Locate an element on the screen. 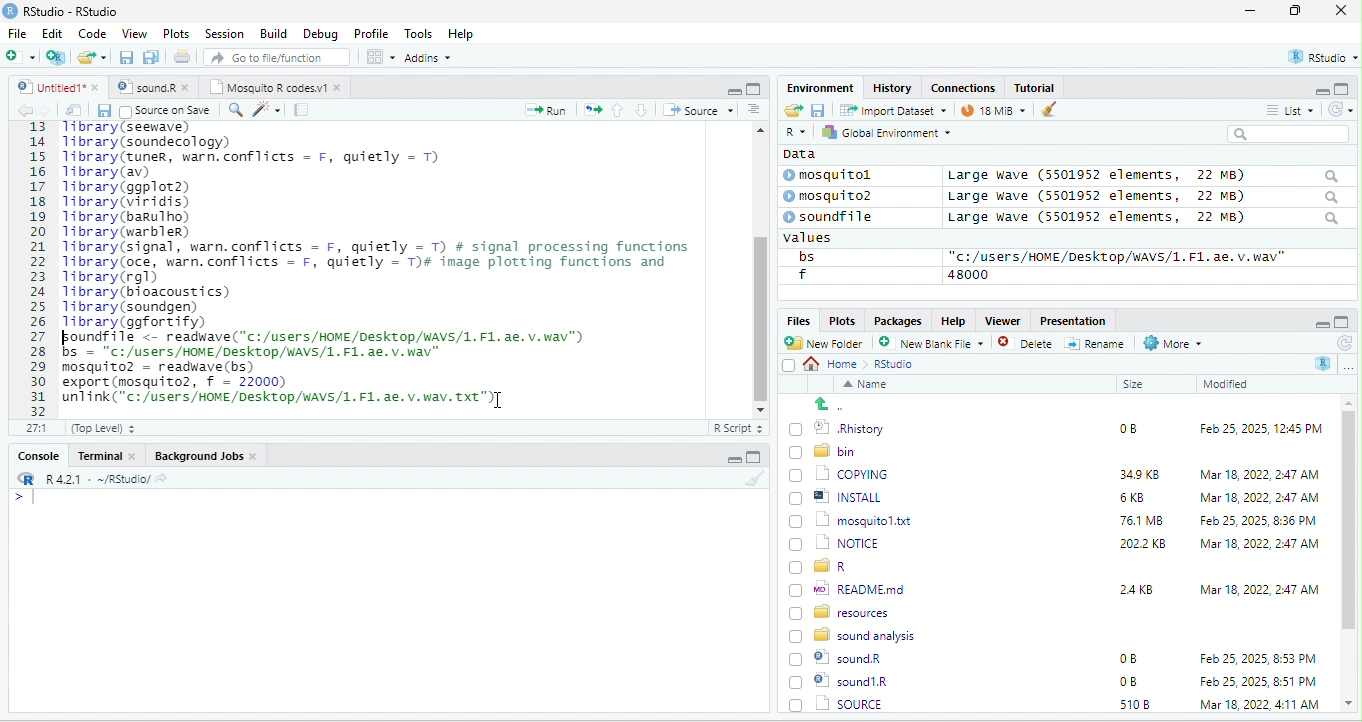 This screenshot has width=1362, height=722. brush is located at coordinates (1044, 111).